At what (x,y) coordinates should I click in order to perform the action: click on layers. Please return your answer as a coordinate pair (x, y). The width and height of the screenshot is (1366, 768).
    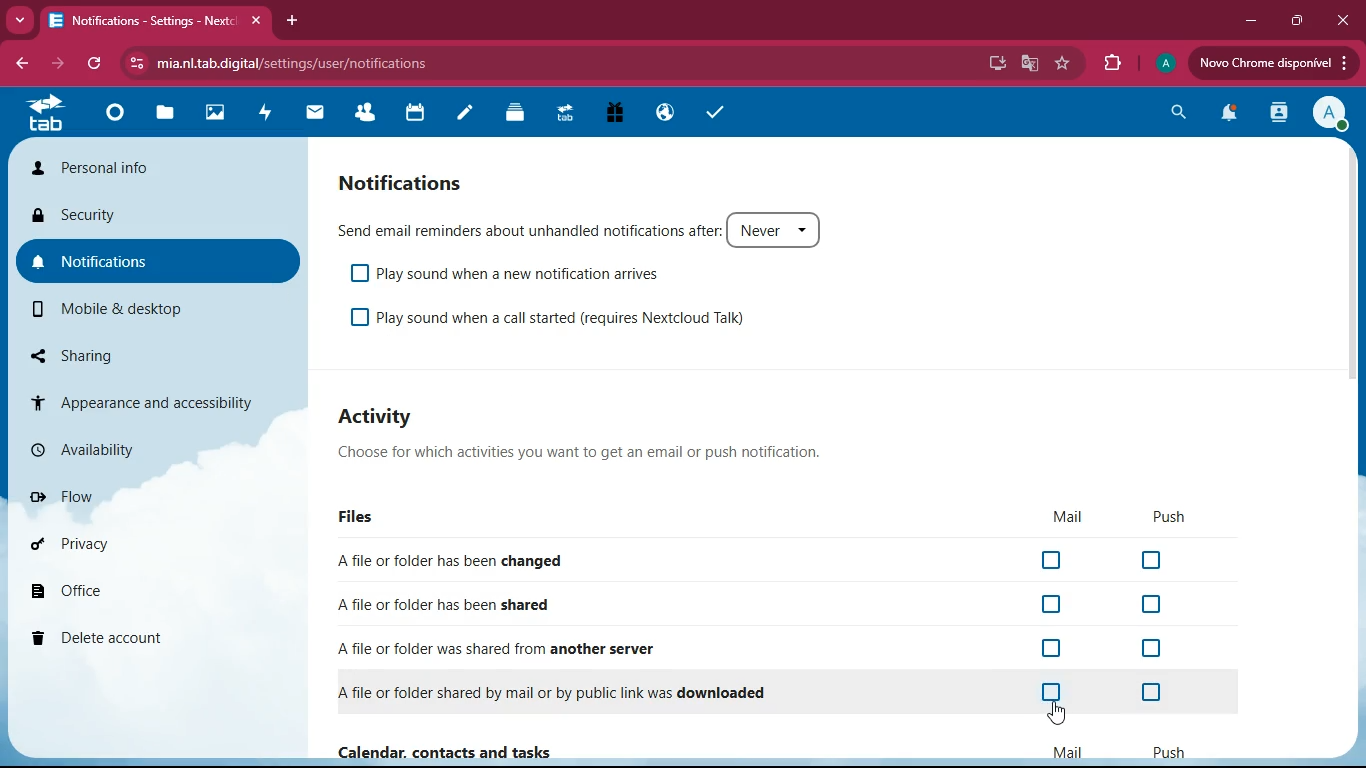
    Looking at the image, I should click on (515, 112).